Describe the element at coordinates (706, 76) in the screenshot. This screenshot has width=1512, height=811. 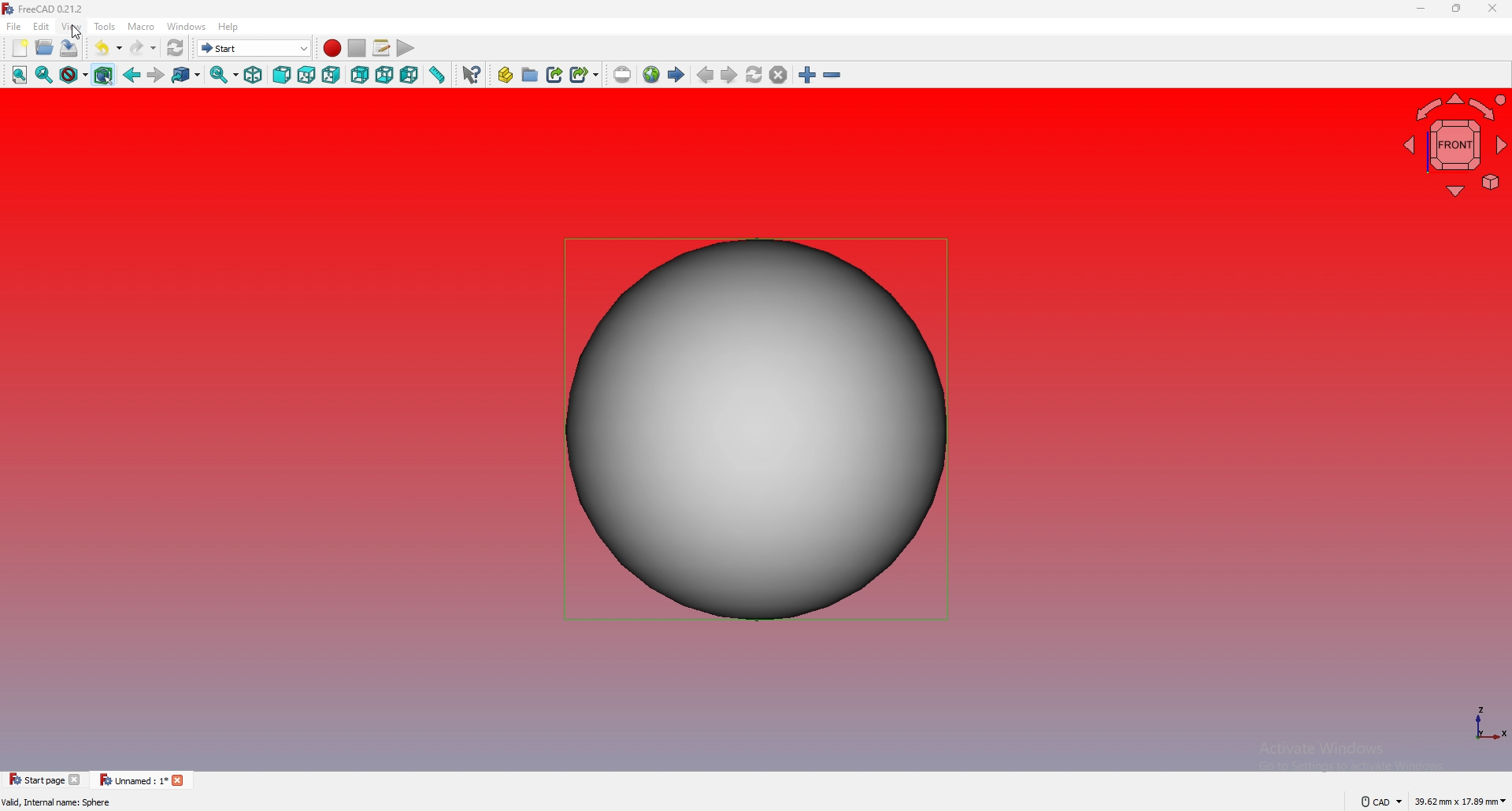
I see `previous page` at that location.